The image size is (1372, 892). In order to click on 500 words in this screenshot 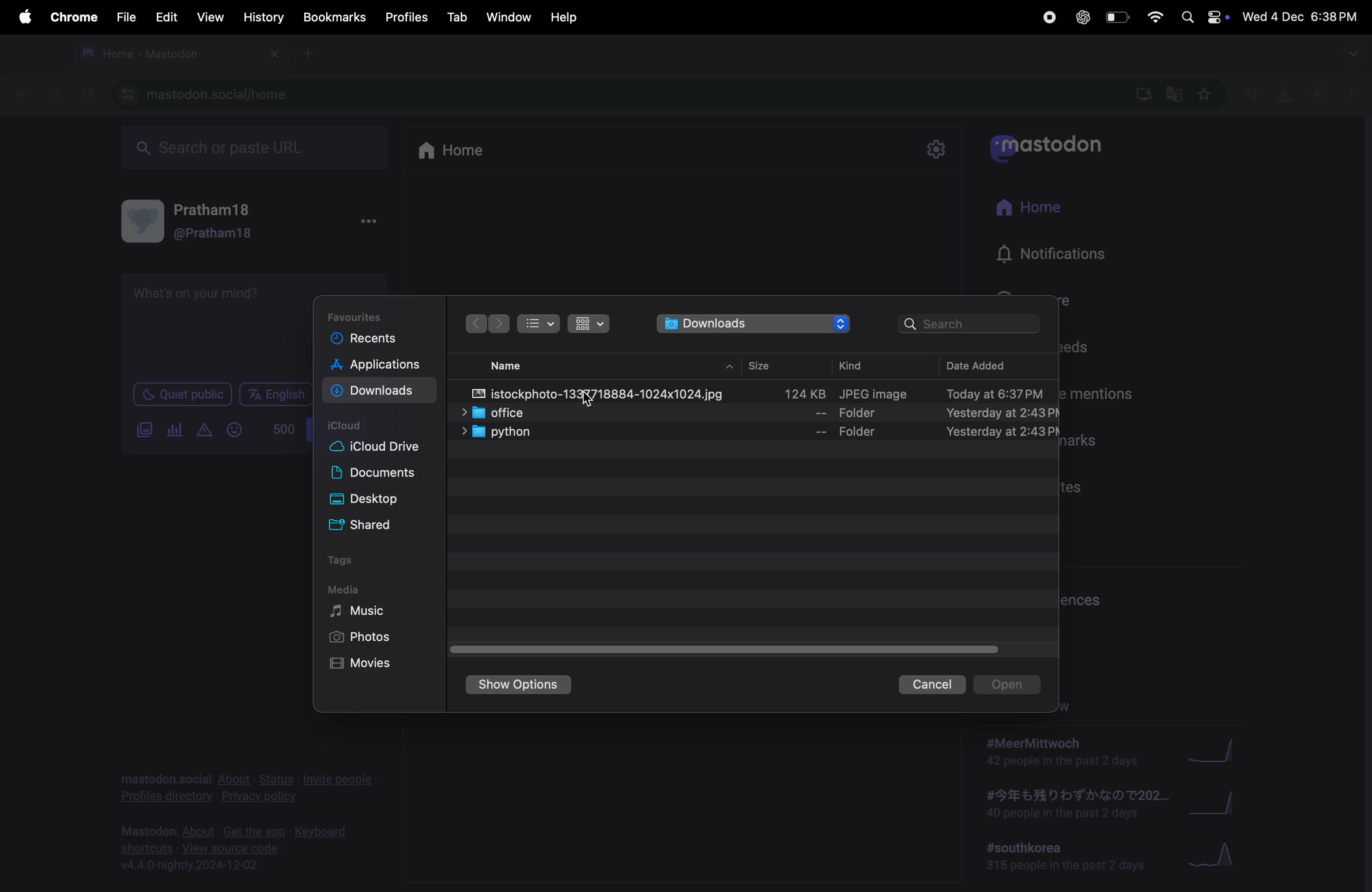, I will do `click(281, 429)`.